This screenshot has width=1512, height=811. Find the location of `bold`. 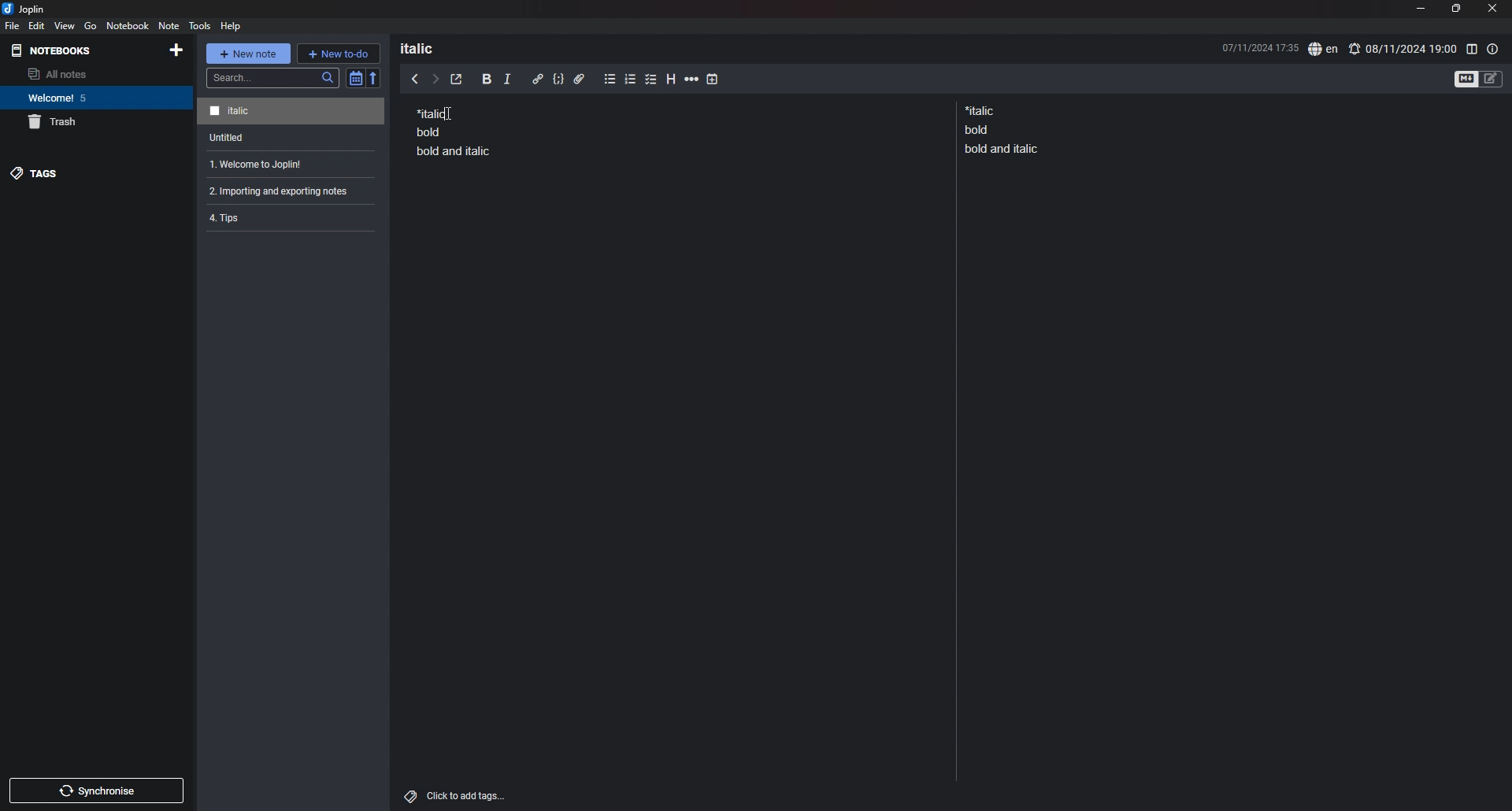

bold is located at coordinates (487, 80).